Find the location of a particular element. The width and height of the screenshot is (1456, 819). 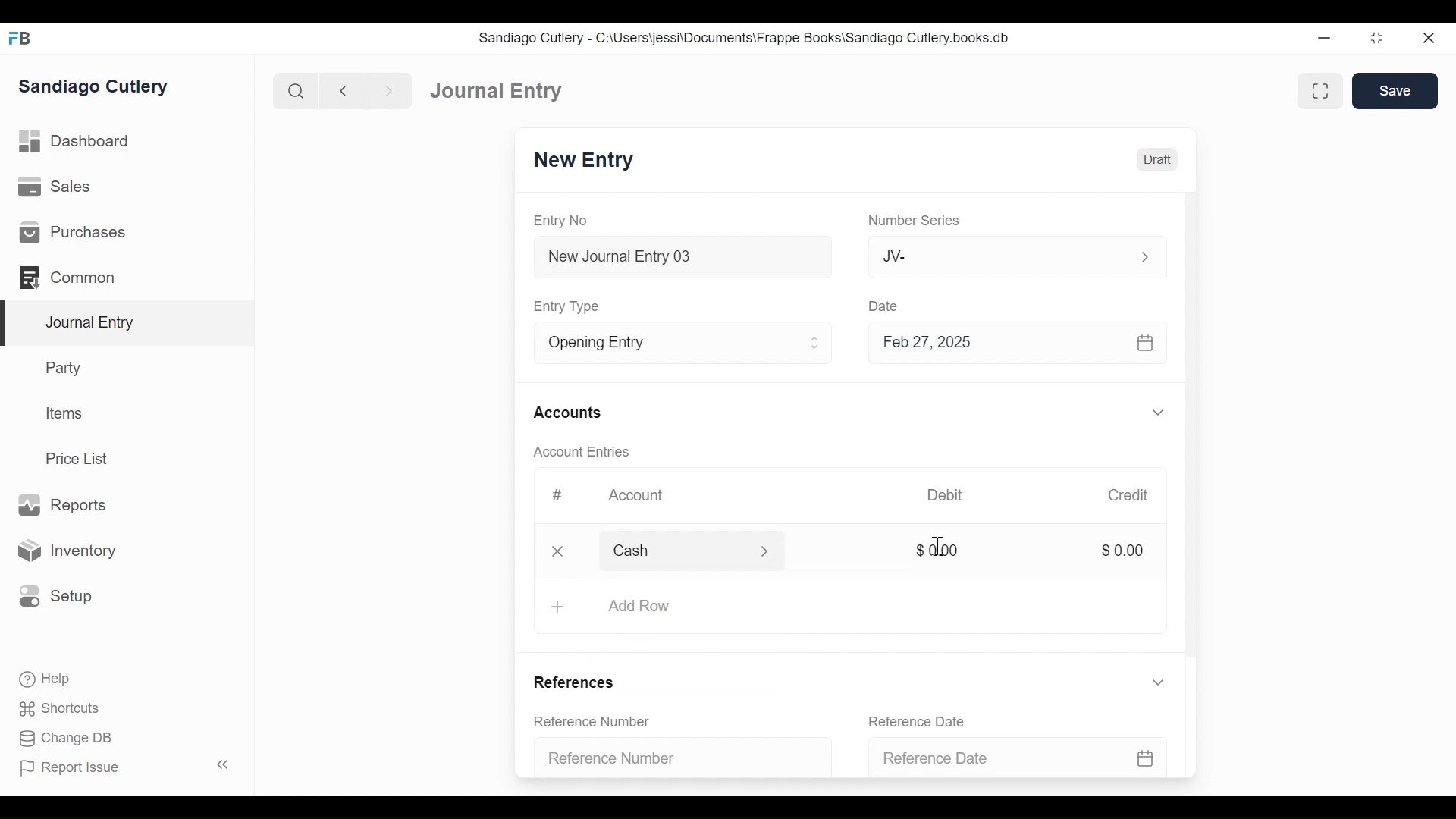

Accounts is located at coordinates (567, 413).